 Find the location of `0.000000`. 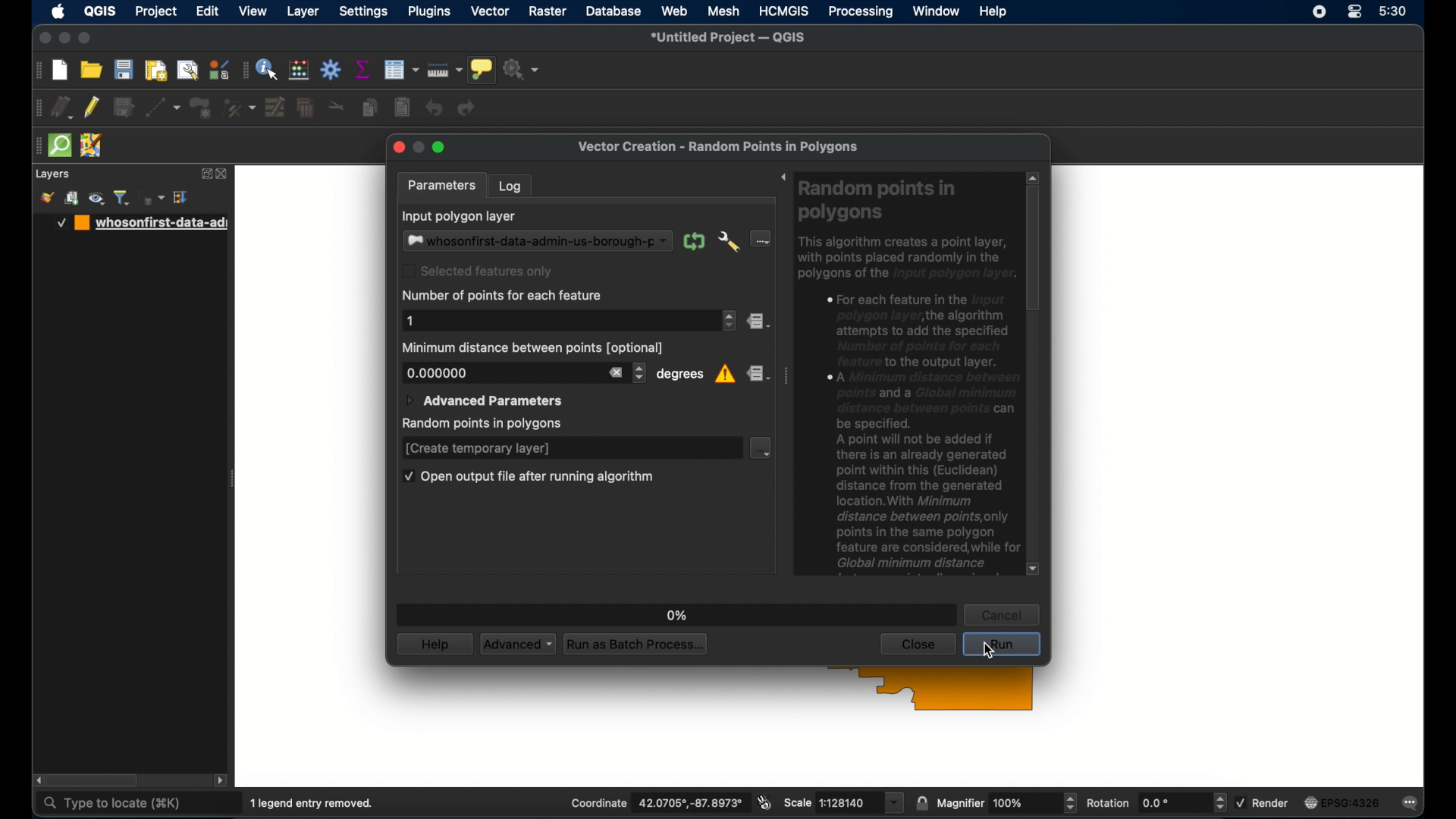

0.000000 is located at coordinates (437, 372).